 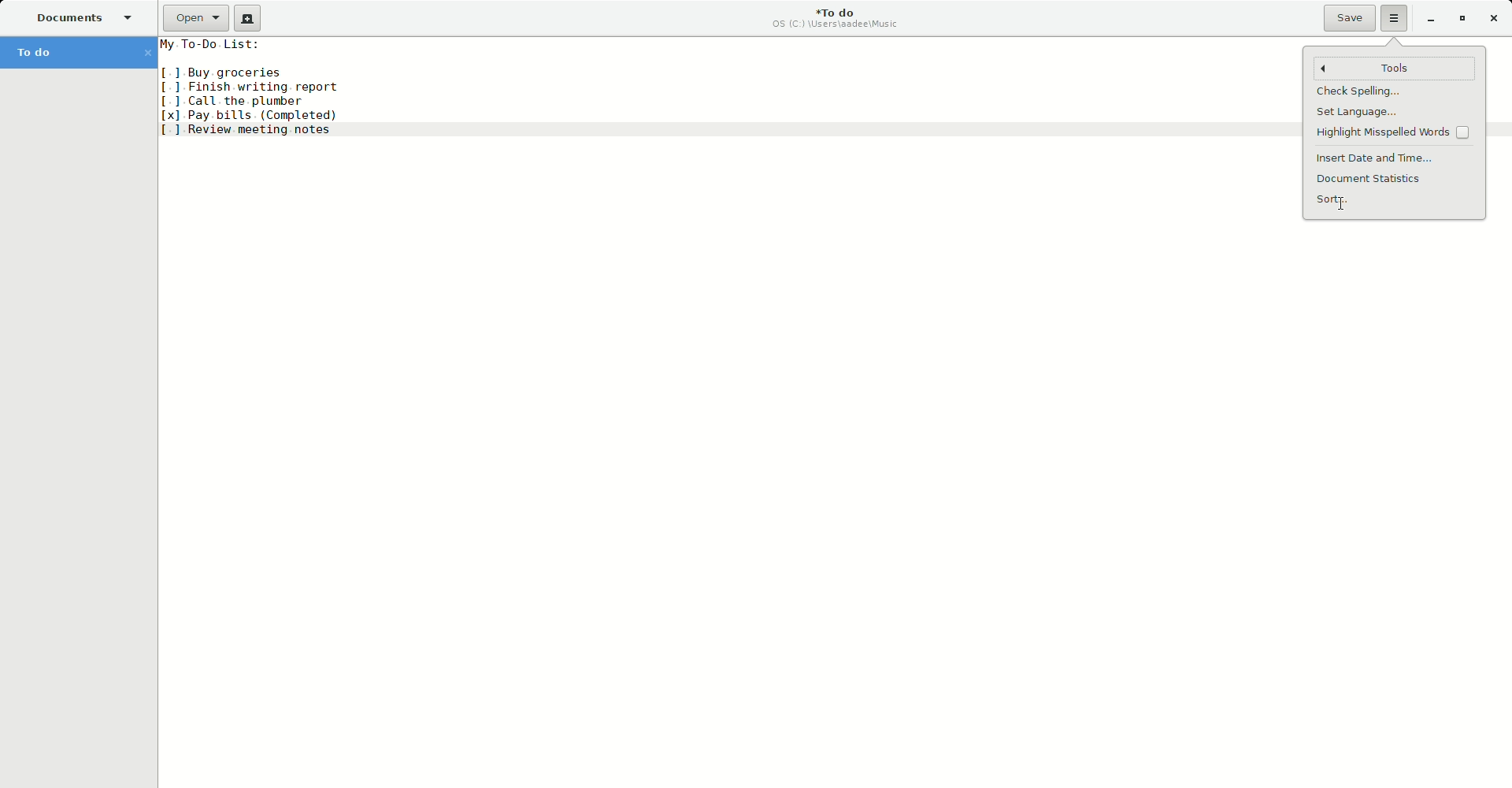 What do you see at coordinates (1346, 208) in the screenshot?
I see `cursor` at bounding box center [1346, 208].